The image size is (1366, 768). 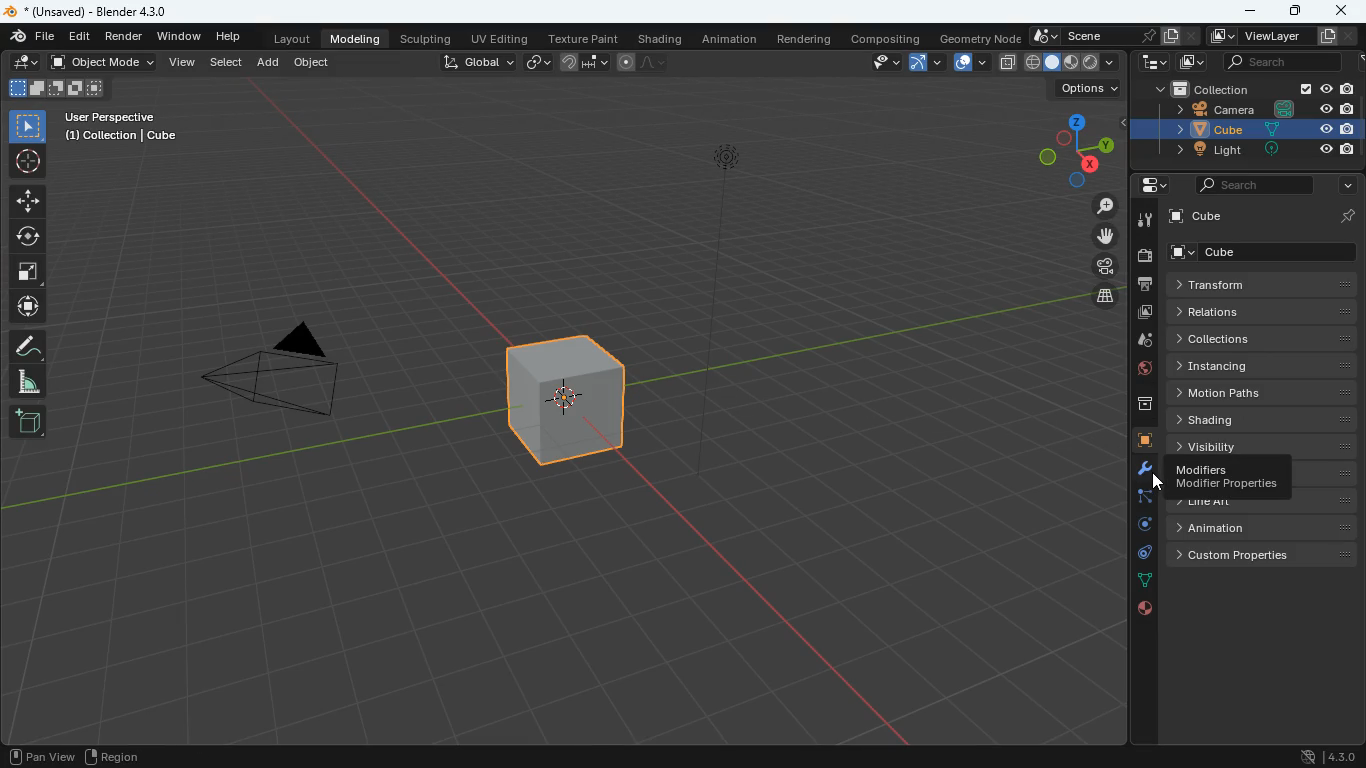 I want to click on light, so click(x=727, y=217).